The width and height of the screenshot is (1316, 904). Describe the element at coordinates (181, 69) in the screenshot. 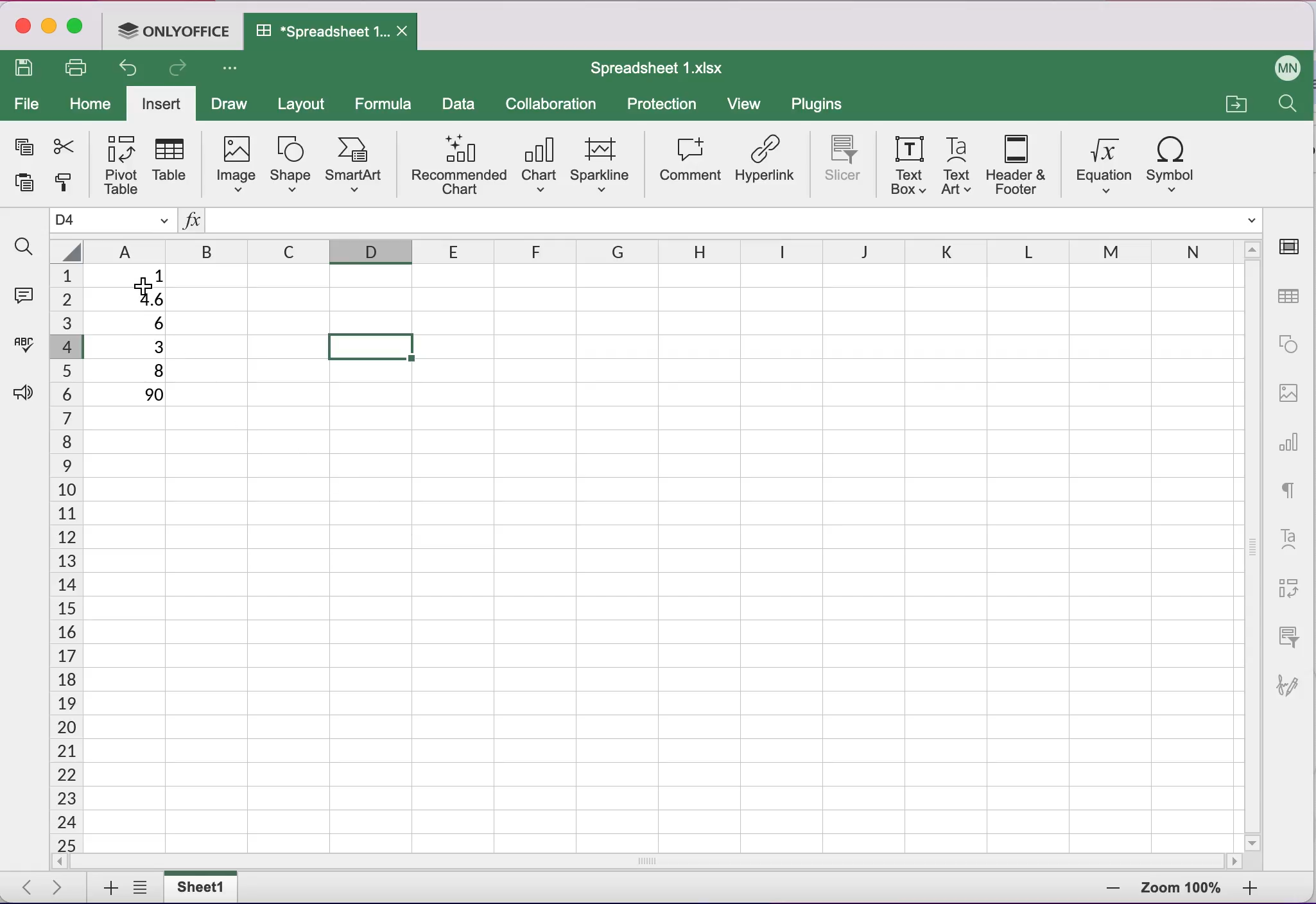

I see `redo` at that location.